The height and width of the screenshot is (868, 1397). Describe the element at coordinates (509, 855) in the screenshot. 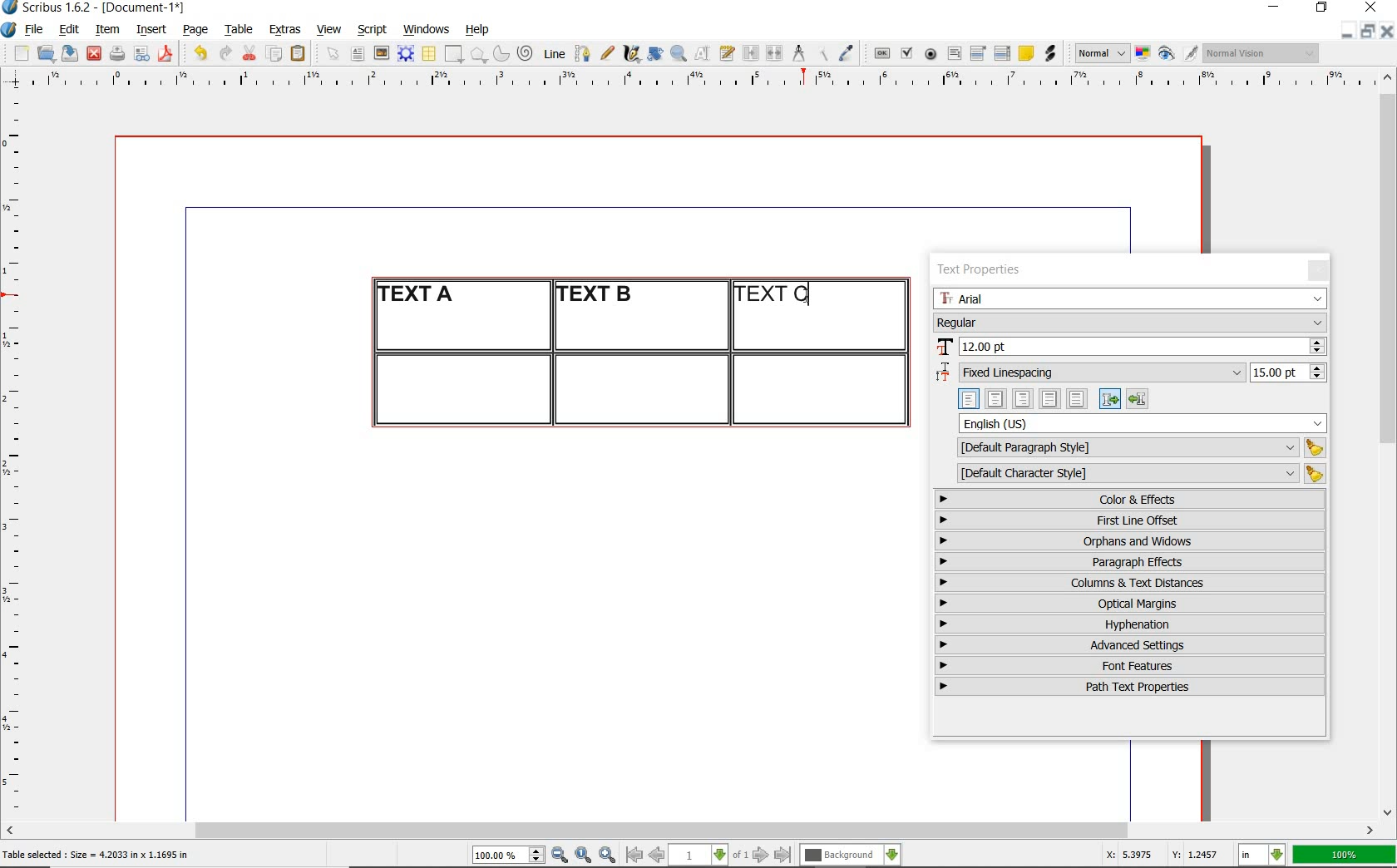

I see `select current zoom level` at that location.